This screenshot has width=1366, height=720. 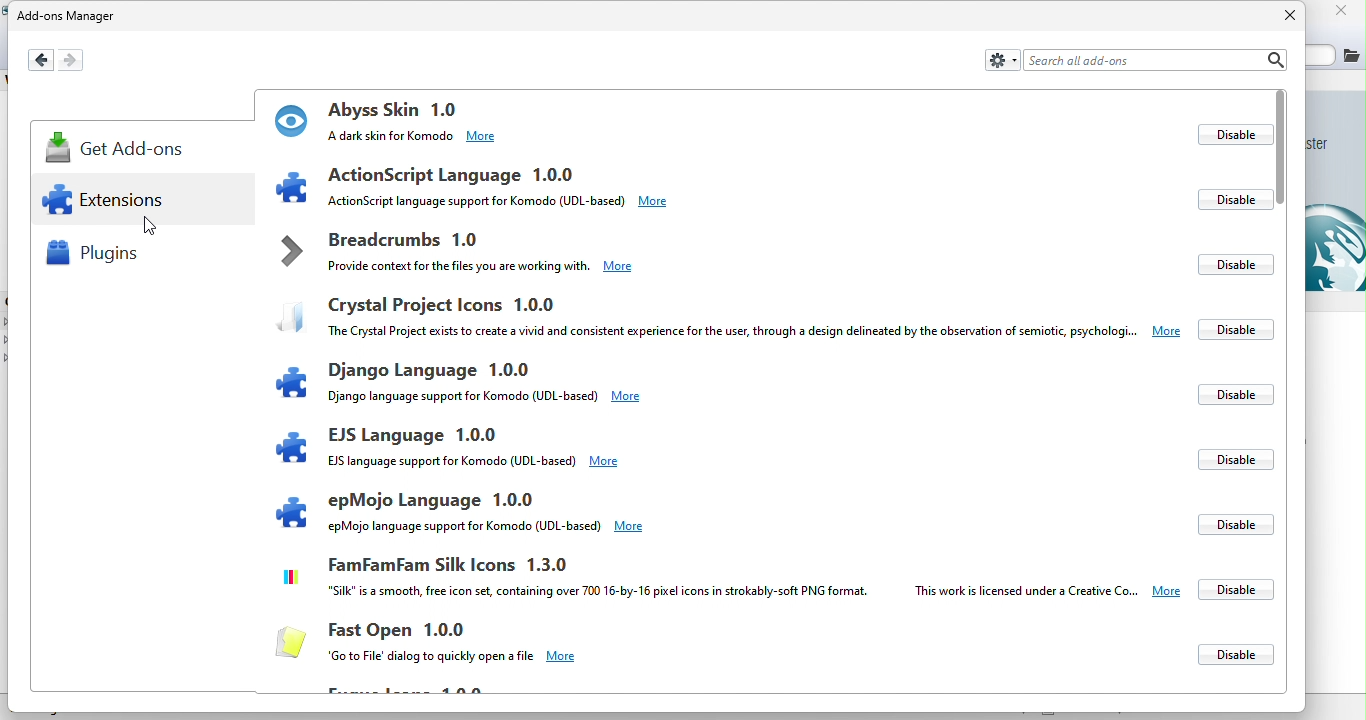 I want to click on search bar, so click(x=1154, y=60).